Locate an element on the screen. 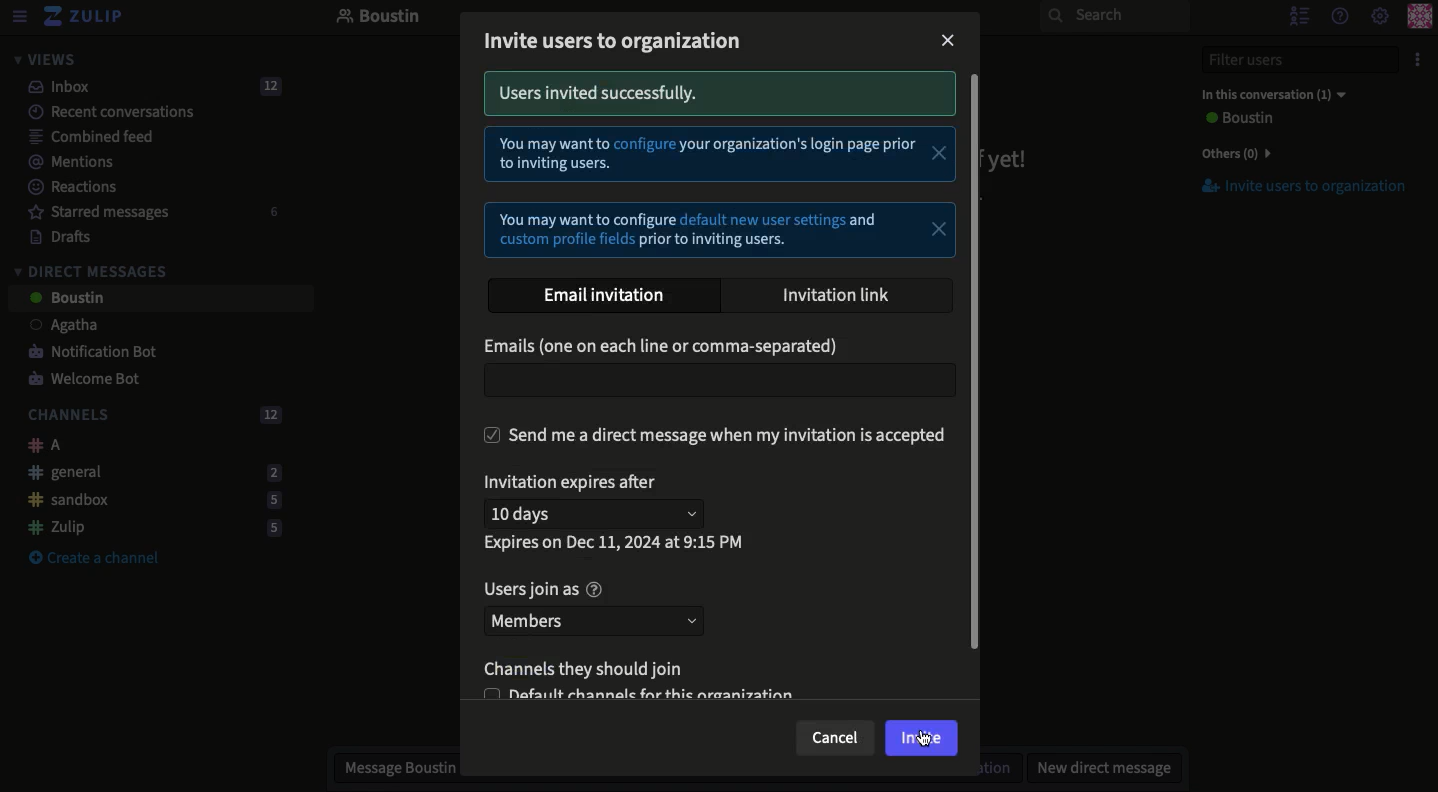 The height and width of the screenshot is (792, 1438). In this conversation is located at coordinates (1269, 94).